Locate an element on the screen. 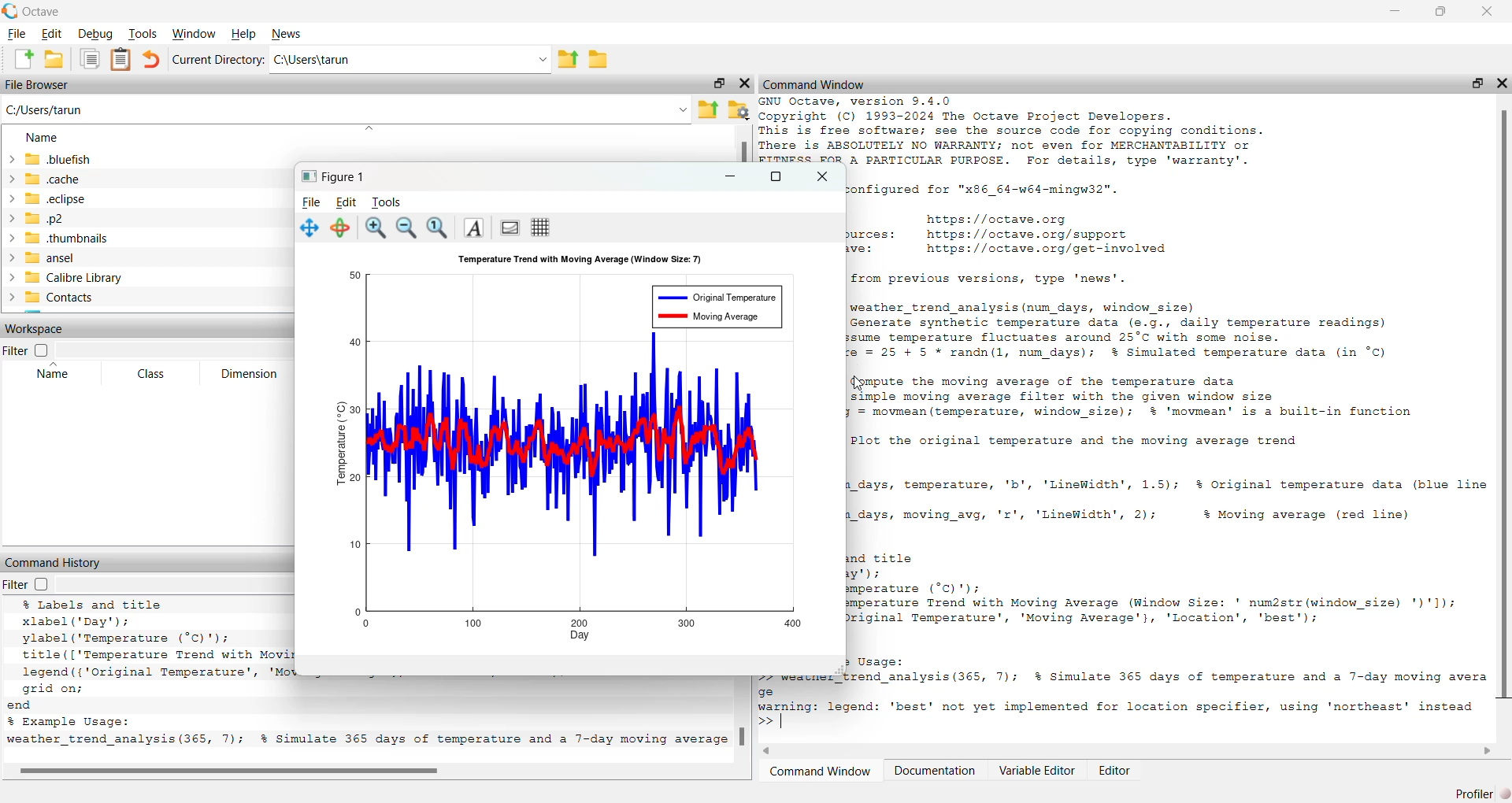  Create Folder is located at coordinates (55, 61).